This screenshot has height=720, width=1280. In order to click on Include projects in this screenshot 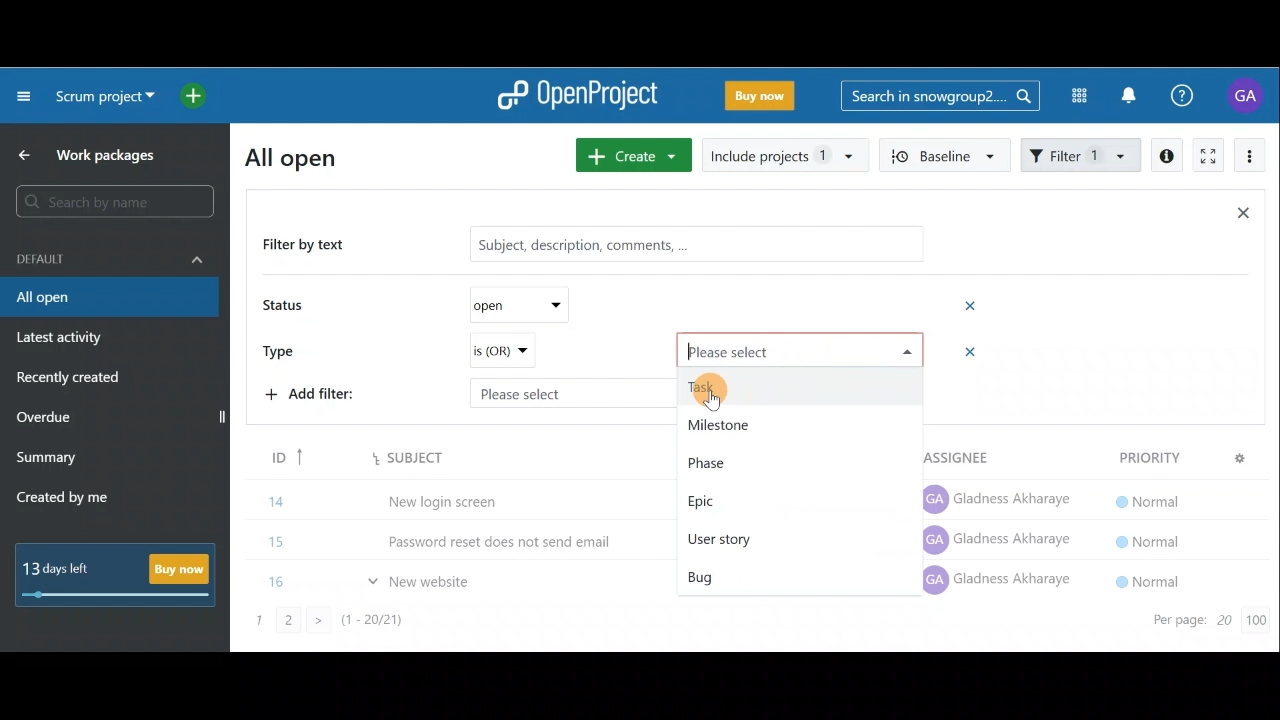, I will do `click(784, 156)`.